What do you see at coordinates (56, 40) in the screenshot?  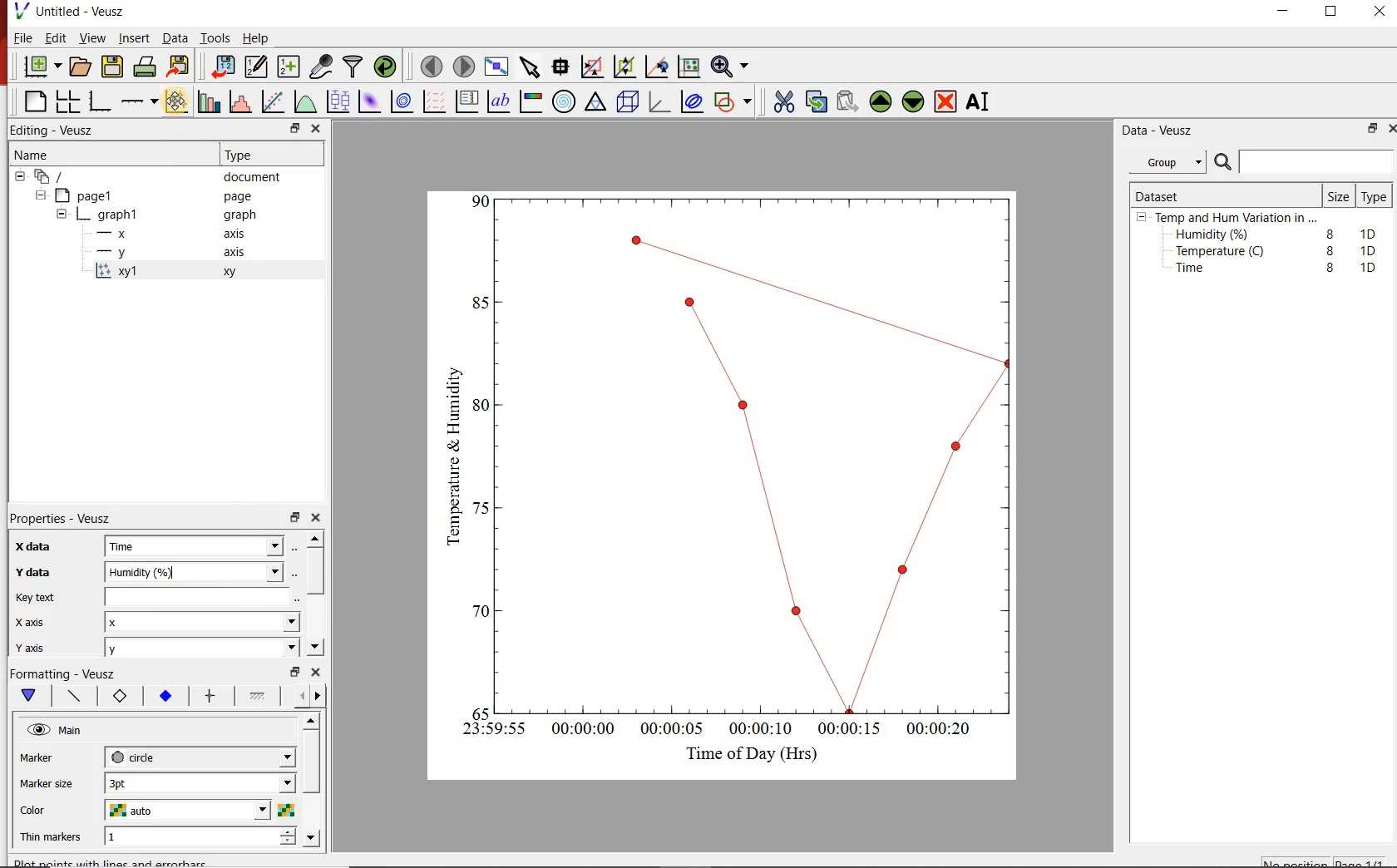 I see `Edit` at bounding box center [56, 40].